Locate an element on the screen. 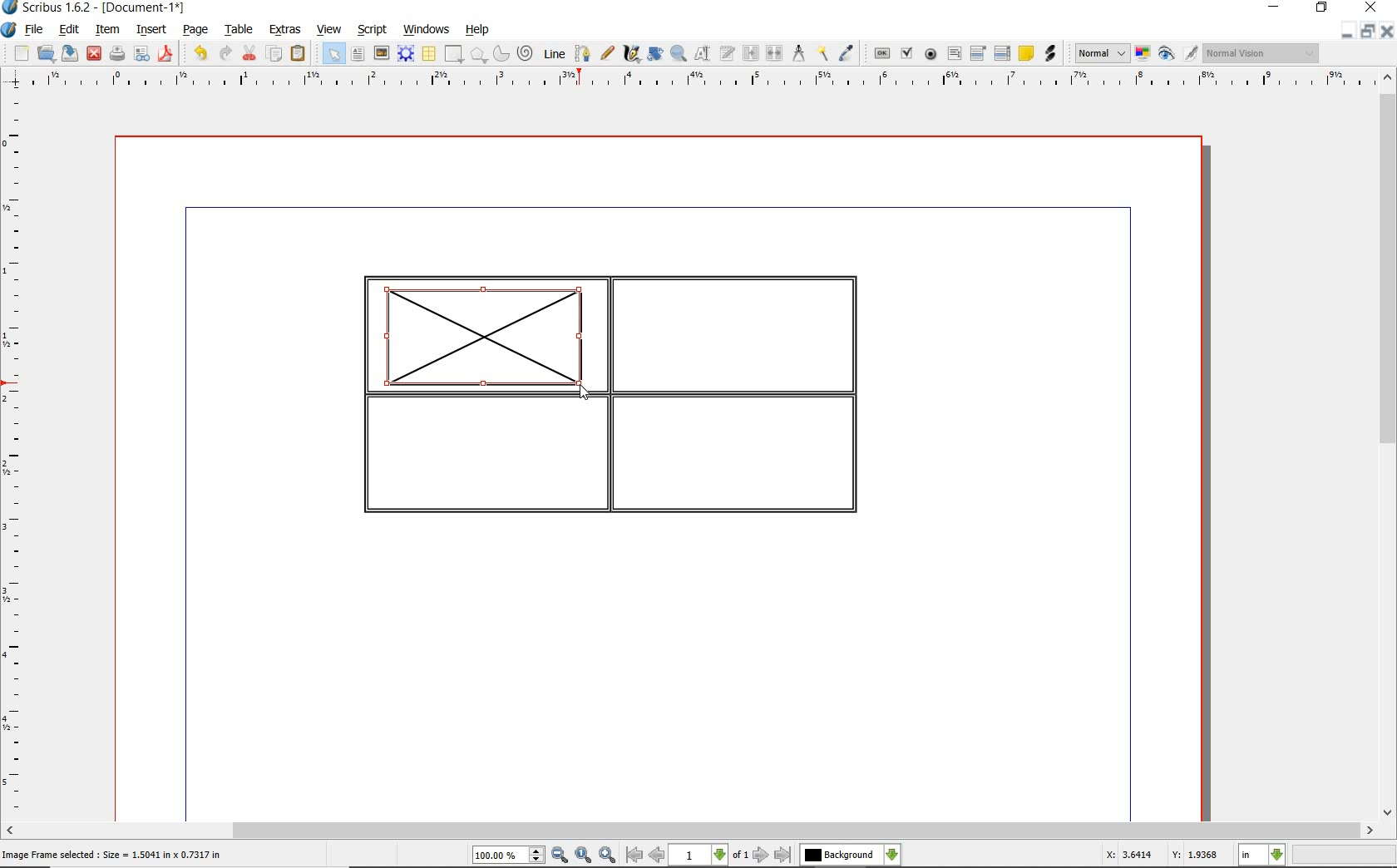 This screenshot has height=868, width=1397. ruler is located at coordinates (706, 80).